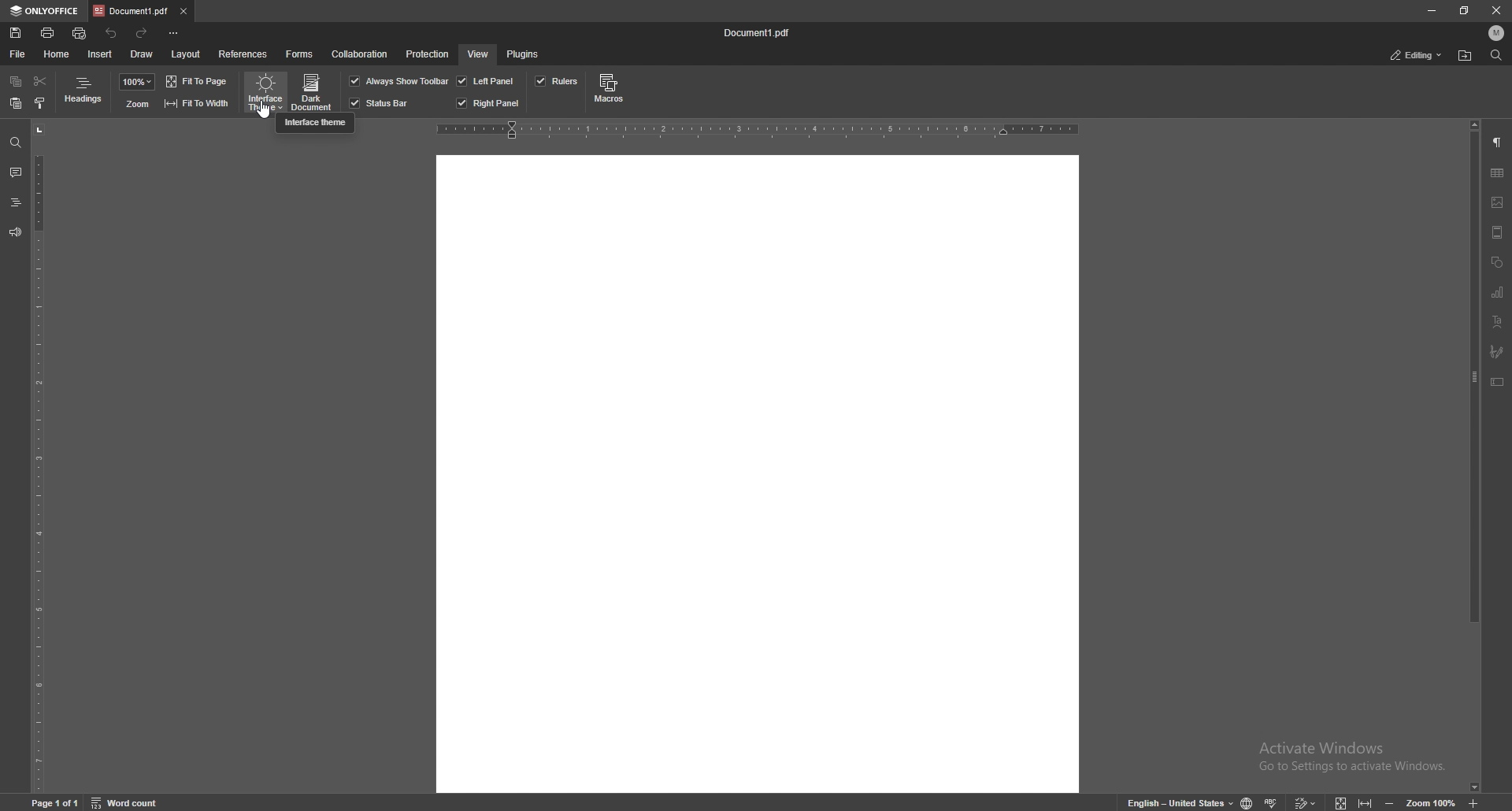 This screenshot has width=1512, height=811. What do you see at coordinates (1464, 10) in the screenshot?
I see `resize` at bounding box center [1464, 10].